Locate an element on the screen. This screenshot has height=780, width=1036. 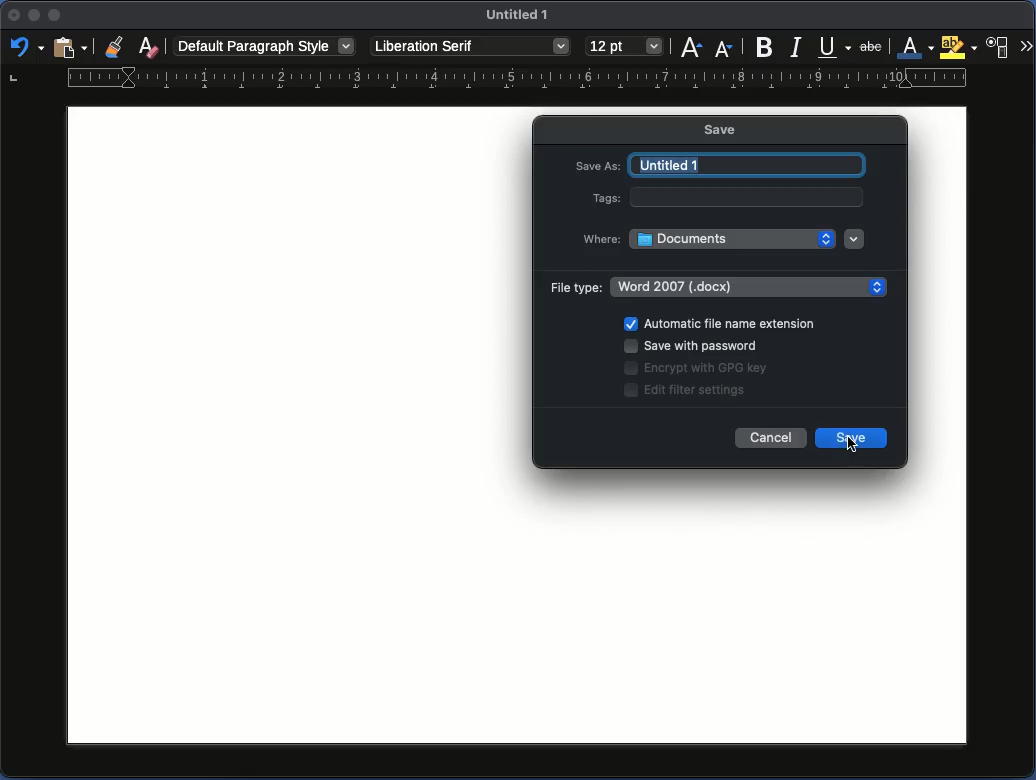
untitled 1 is located at coordinates (750, 164).